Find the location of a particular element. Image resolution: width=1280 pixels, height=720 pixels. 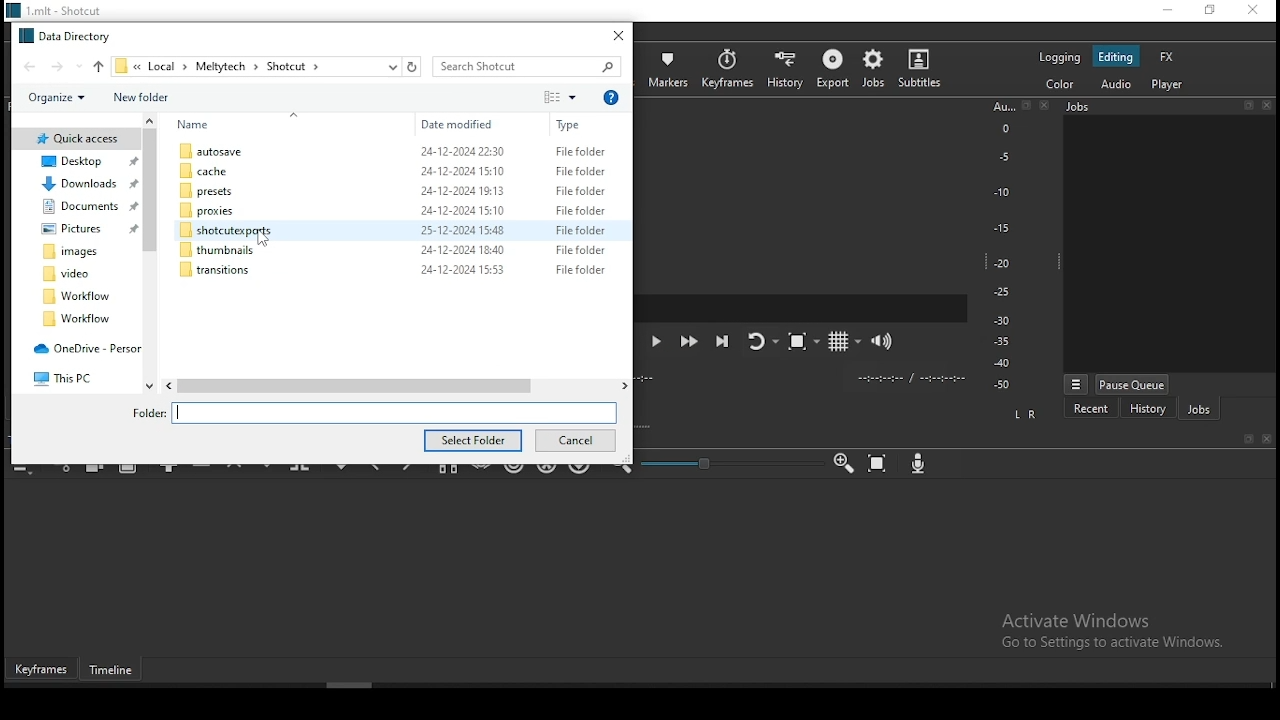

cancel is located at coordinates (576, 441).